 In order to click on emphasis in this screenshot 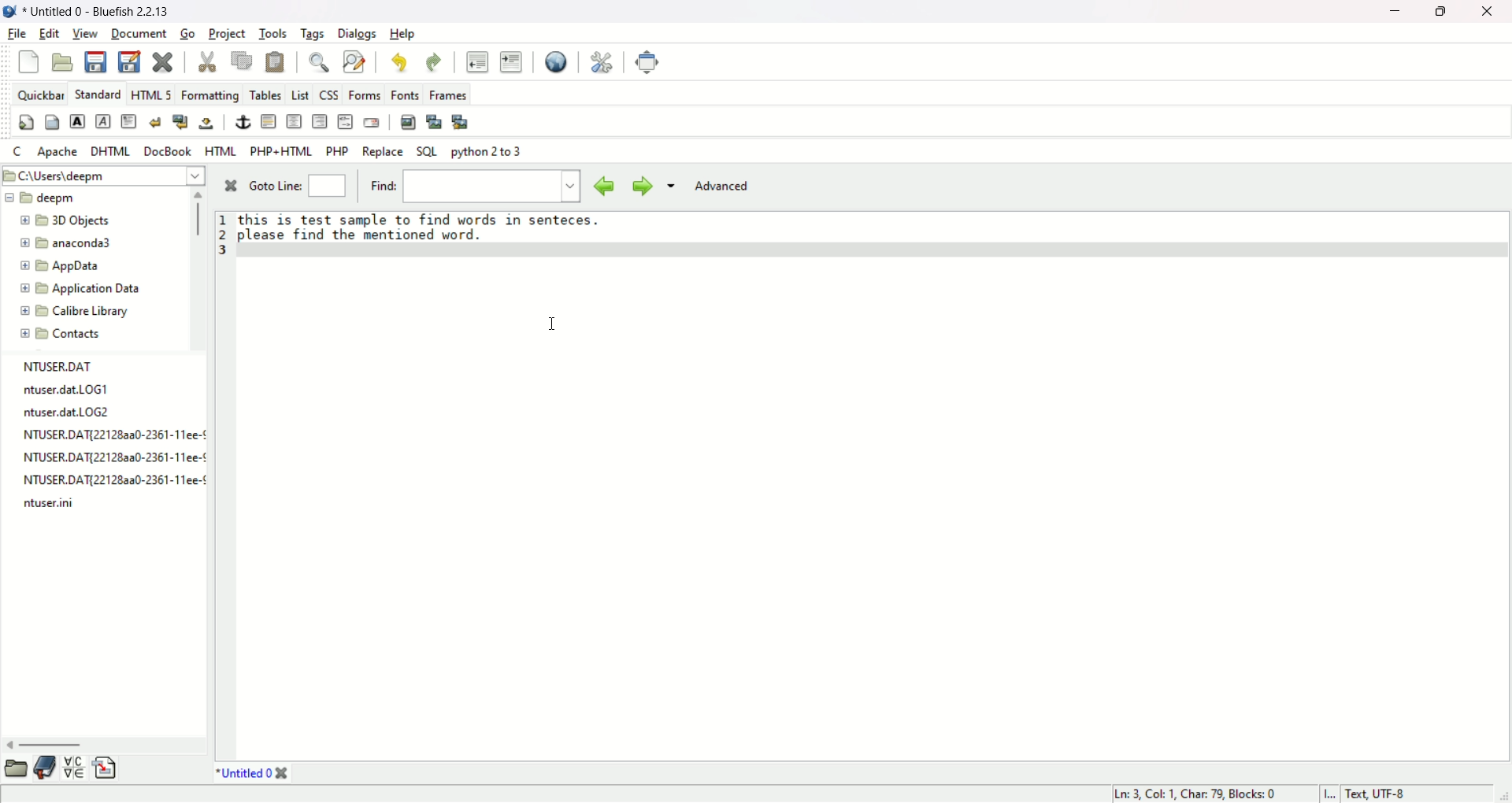, I will do `click(104, 122)`.